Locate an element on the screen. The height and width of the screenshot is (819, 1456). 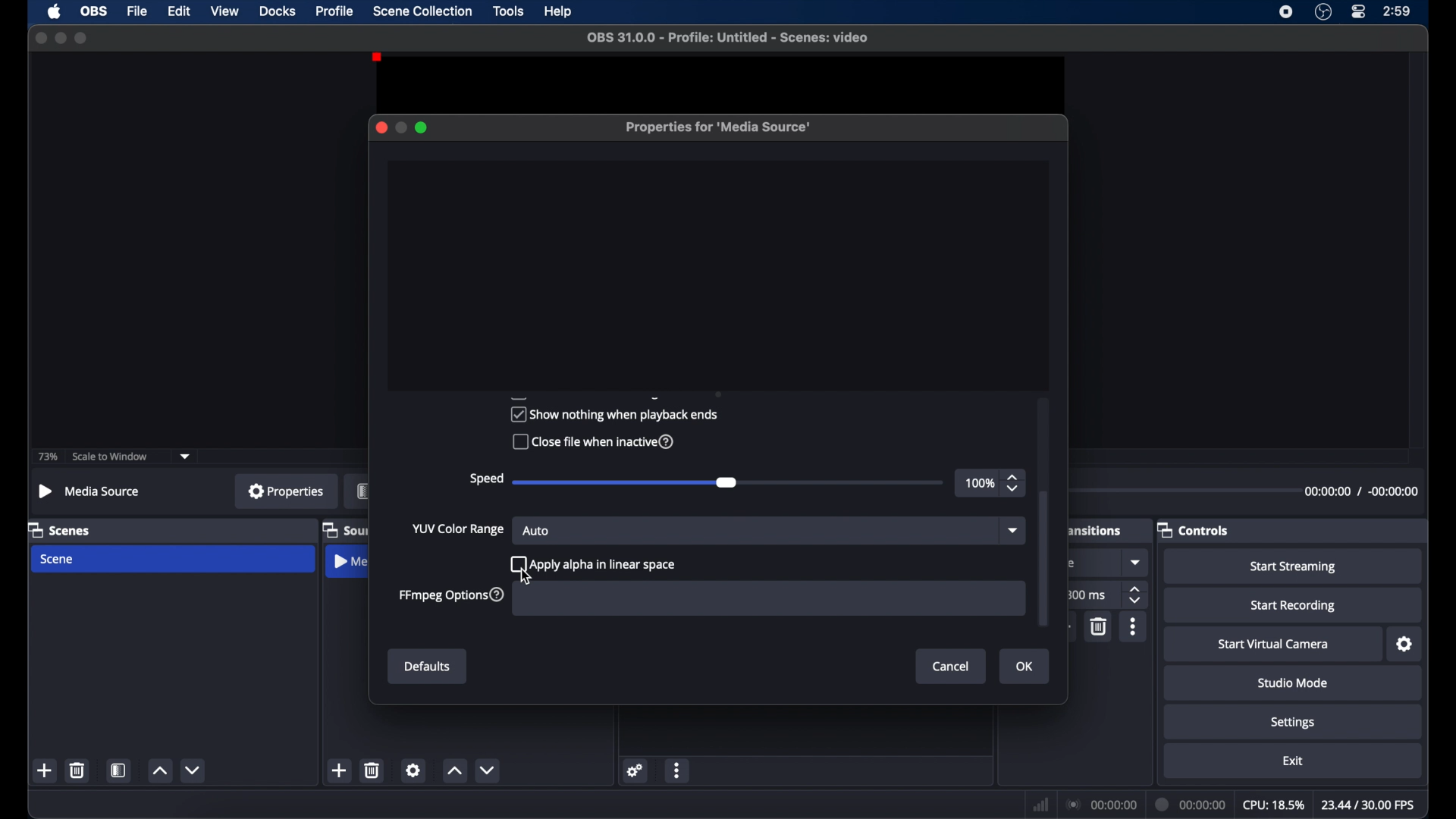
duration is located at coordinates (1191, 805).